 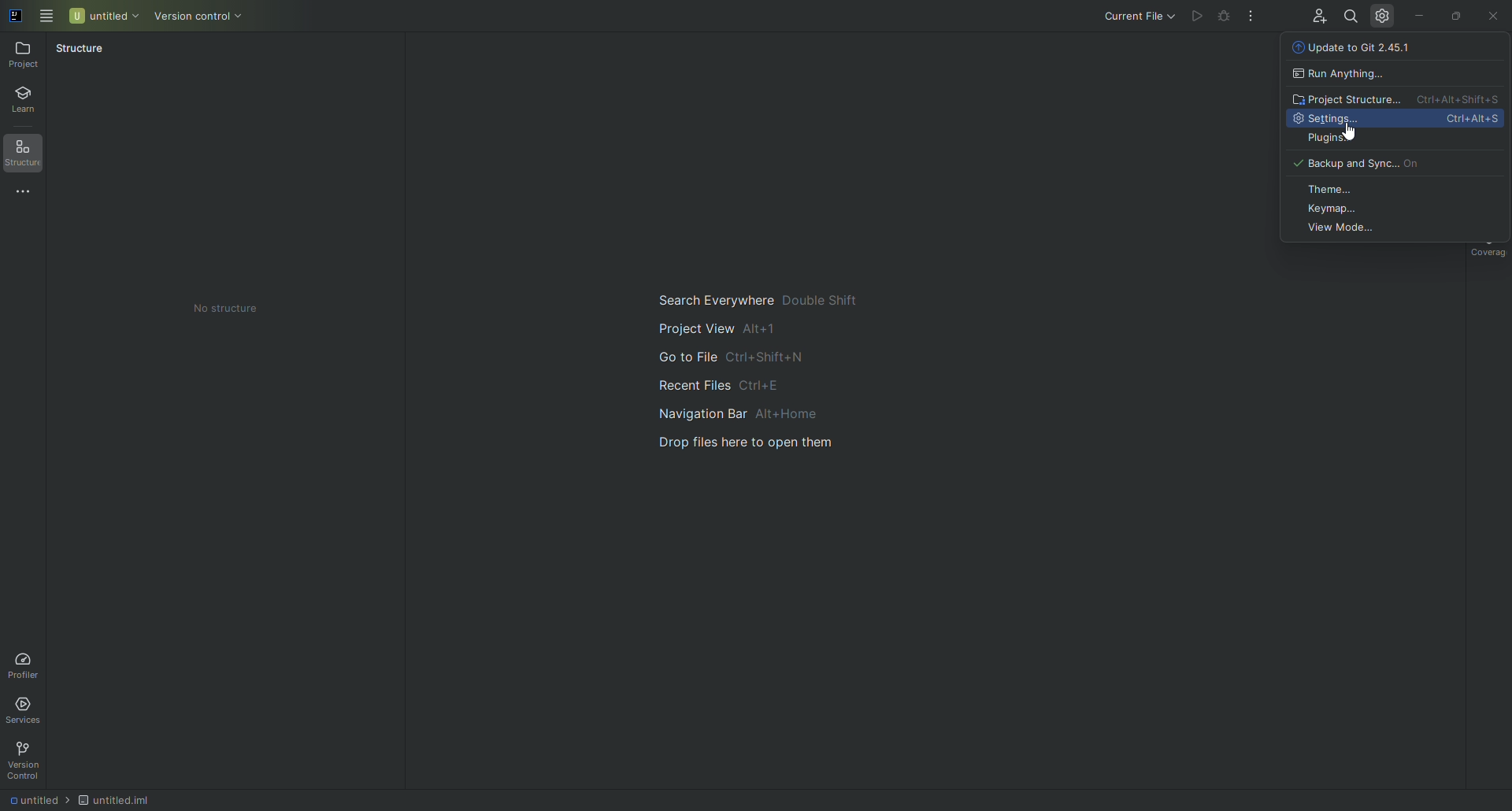 What do you see at coordinates (27, 663) in the screenshot?
I see `Profiler` at bounding box center [27, 663].